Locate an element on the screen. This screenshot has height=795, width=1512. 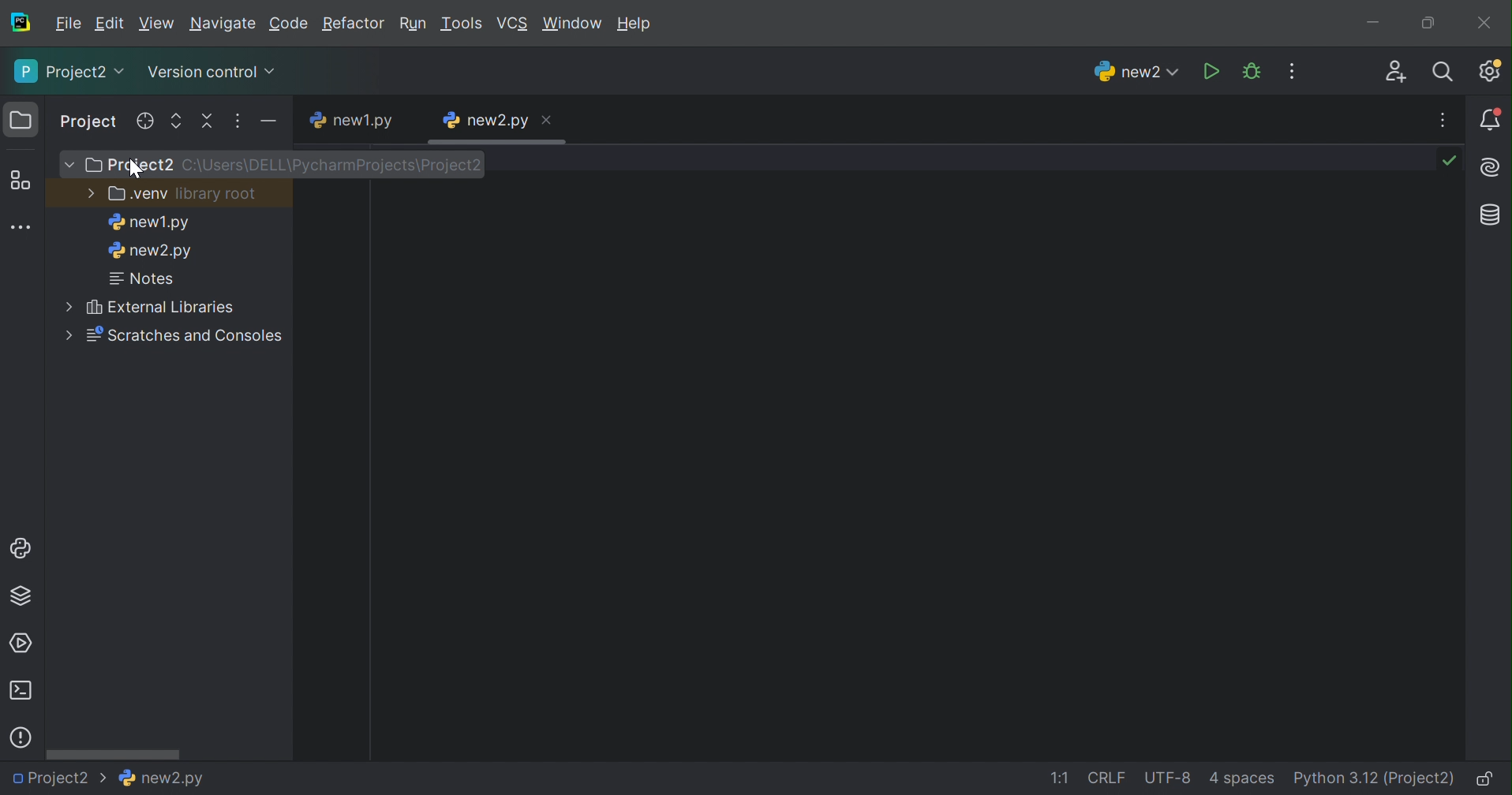
1:1 is located at coordinates (1057, 778).